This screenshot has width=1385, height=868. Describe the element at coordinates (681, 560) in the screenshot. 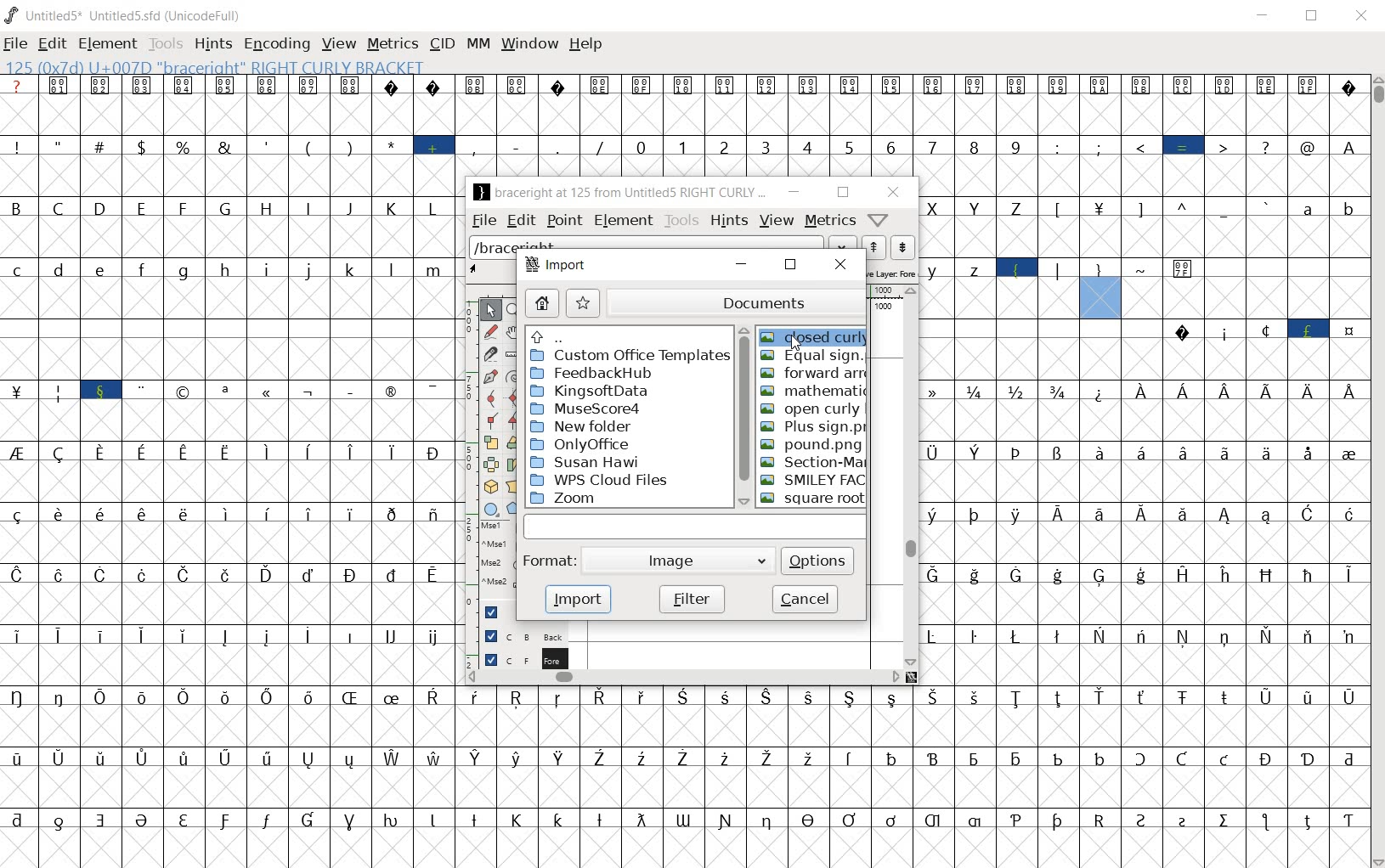

I see `image` at that location.